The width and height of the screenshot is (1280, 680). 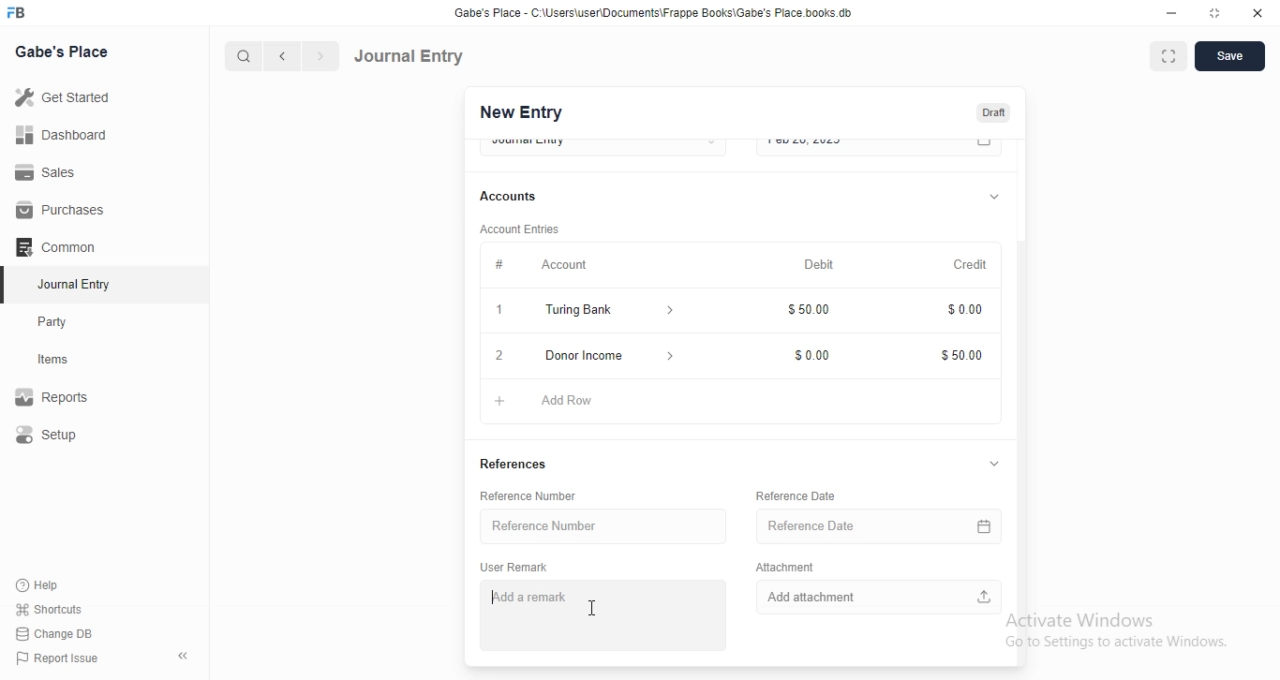 I want to click on calender, so click(x=985, y=147).